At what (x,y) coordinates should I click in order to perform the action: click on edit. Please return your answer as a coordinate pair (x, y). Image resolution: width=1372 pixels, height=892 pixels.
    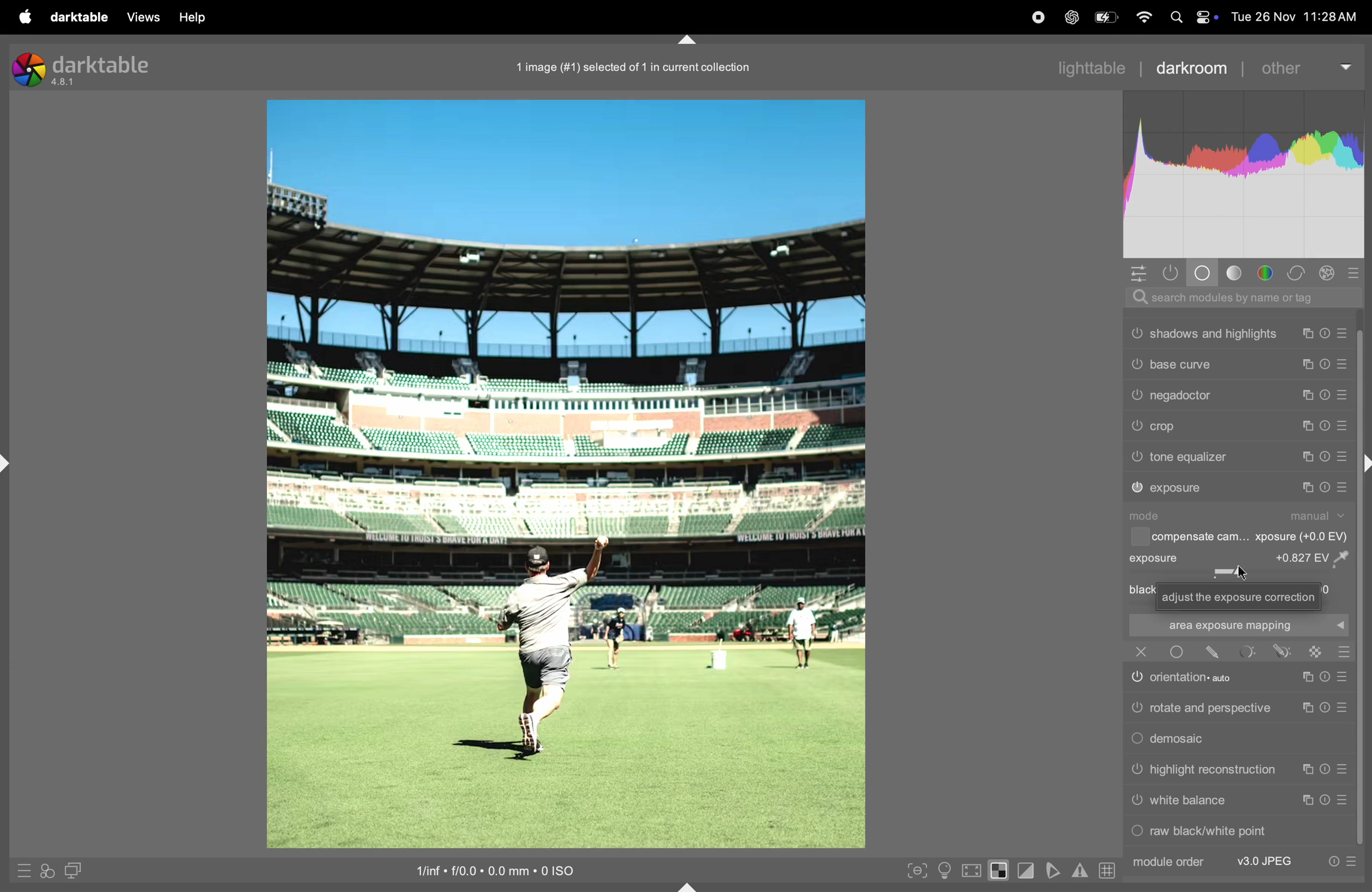
    Looking at the image, I should click on (1213, 652).